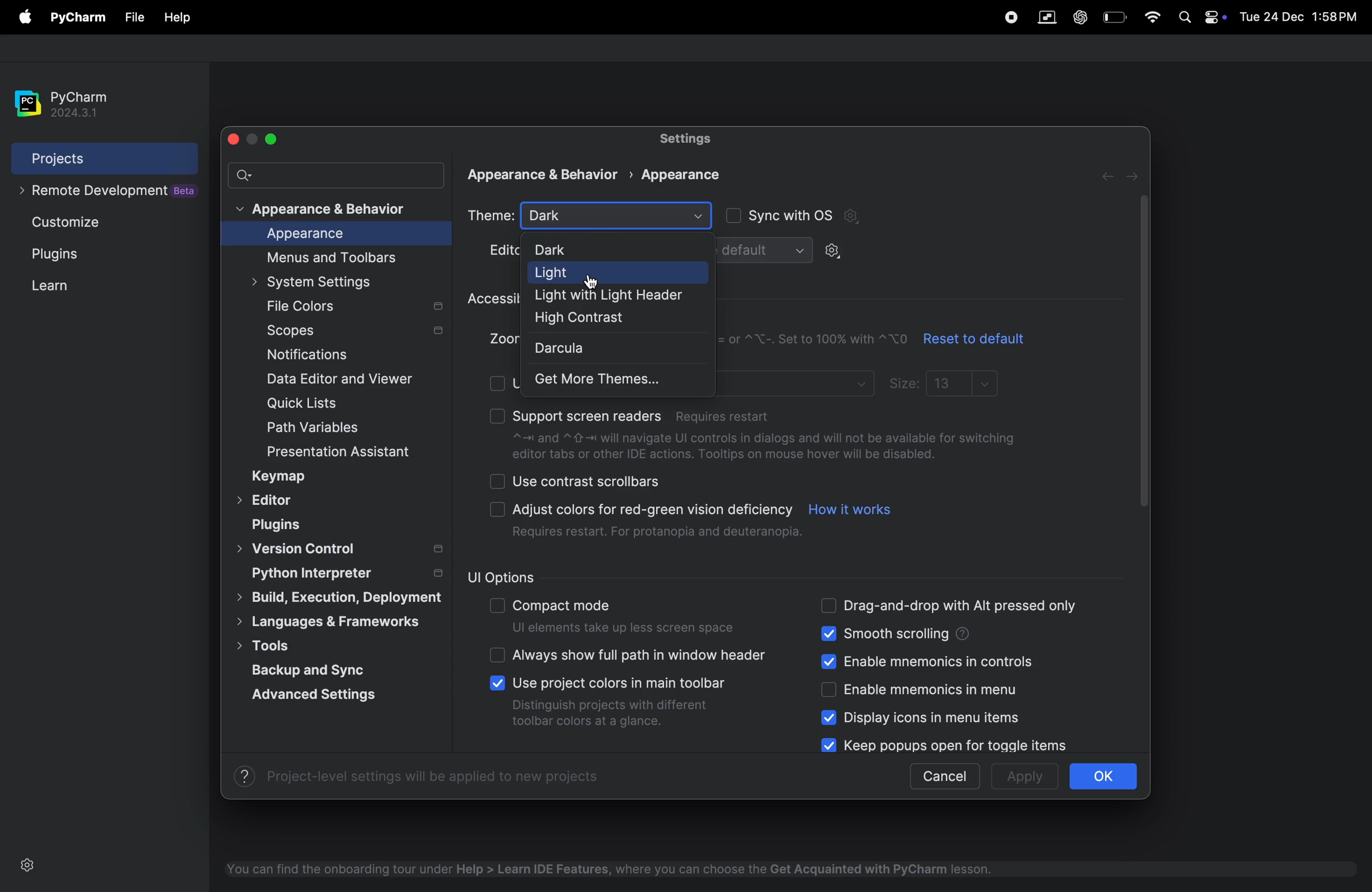 Image resolution: width=1372 pixels, height=892 pixels. Describe the element at coordinates (944, 688) in the screenshot. I see `enable mnemonics menu` at that location.